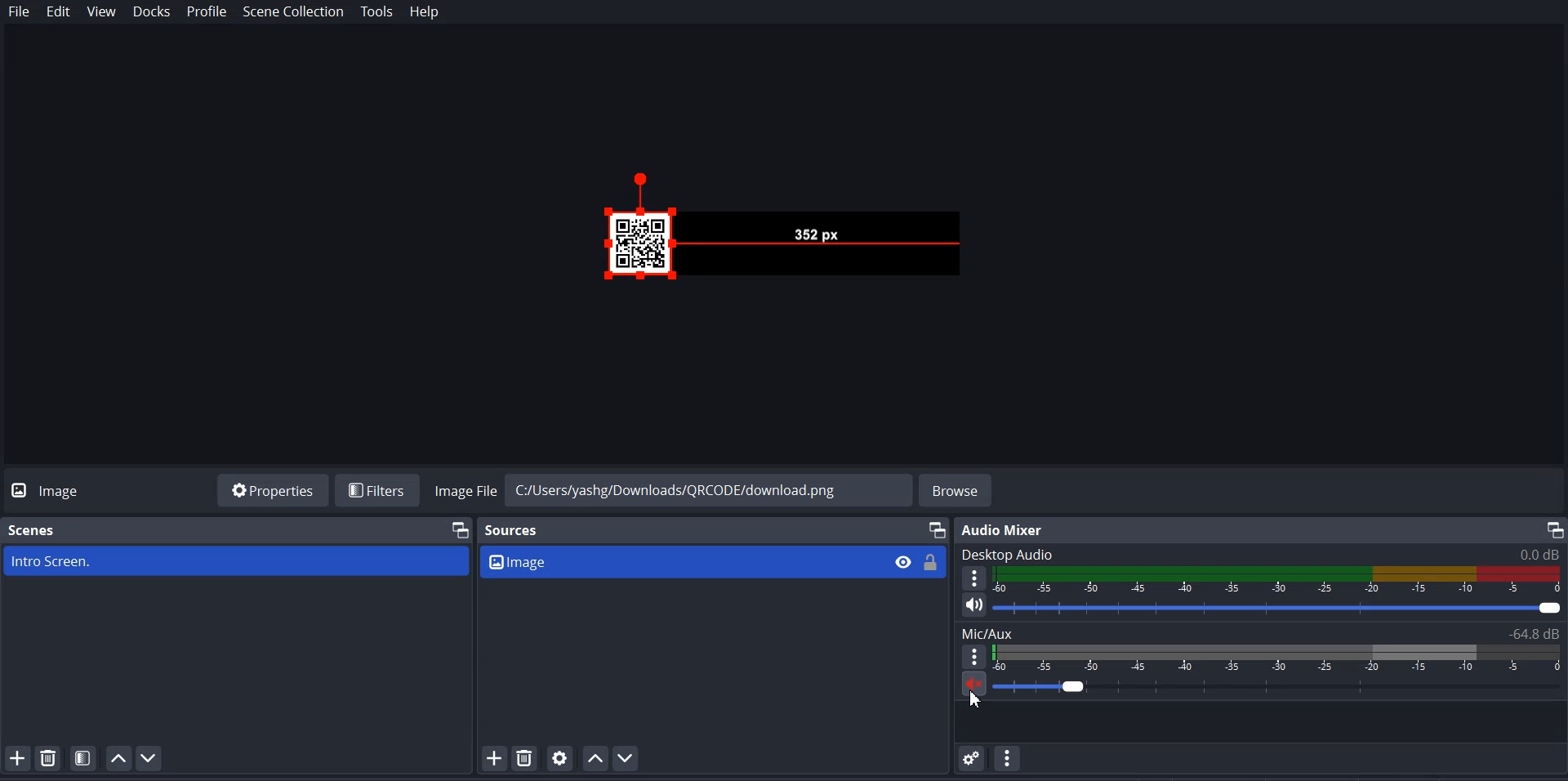 The width and height of the screenshot is (1568, 781). I want to click on Audio Mixer Menu, so click(1007, 758).